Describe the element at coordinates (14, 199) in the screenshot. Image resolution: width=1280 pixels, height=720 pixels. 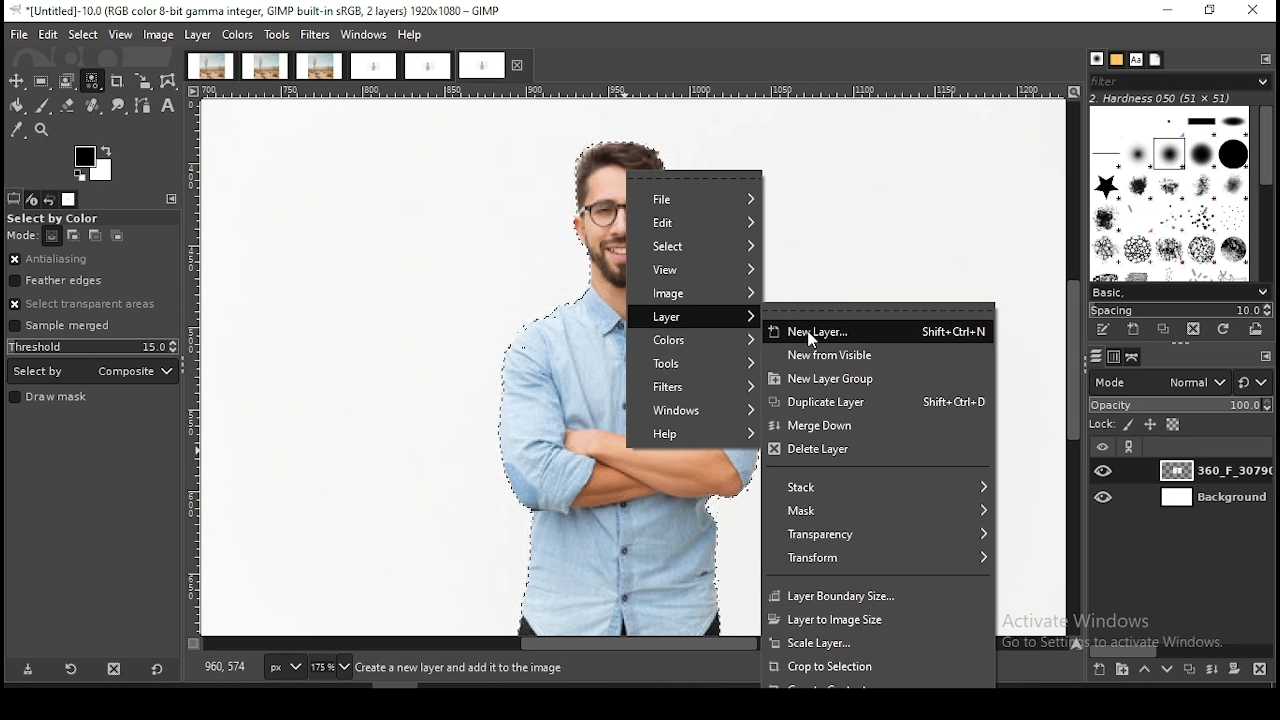
I see `tool options` at that location.